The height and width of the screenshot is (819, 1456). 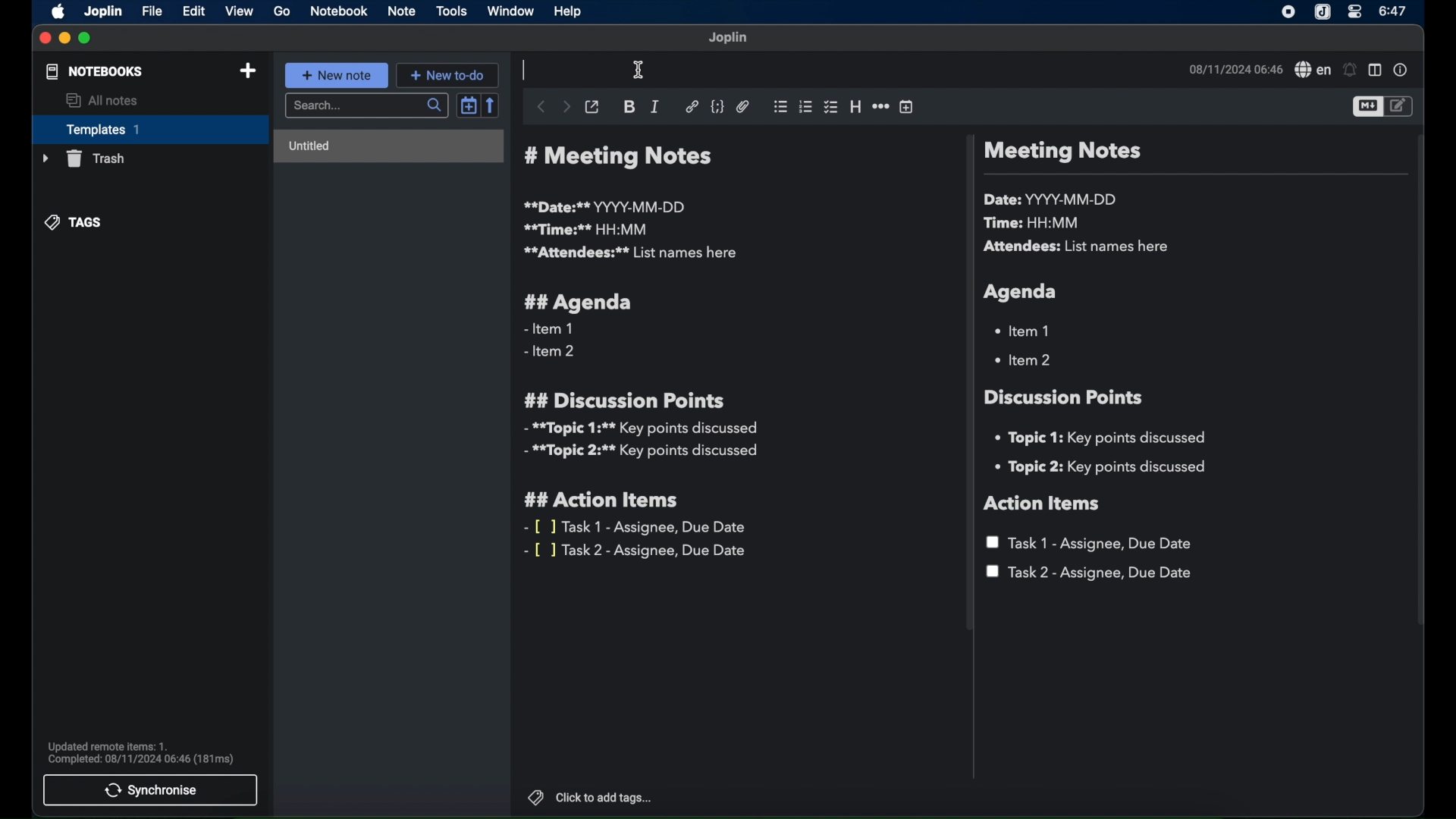 What do you see at coordinates (1375, 71) in the screenshot?
I see `toggle editor layout` at bounding box center [1375, 71].